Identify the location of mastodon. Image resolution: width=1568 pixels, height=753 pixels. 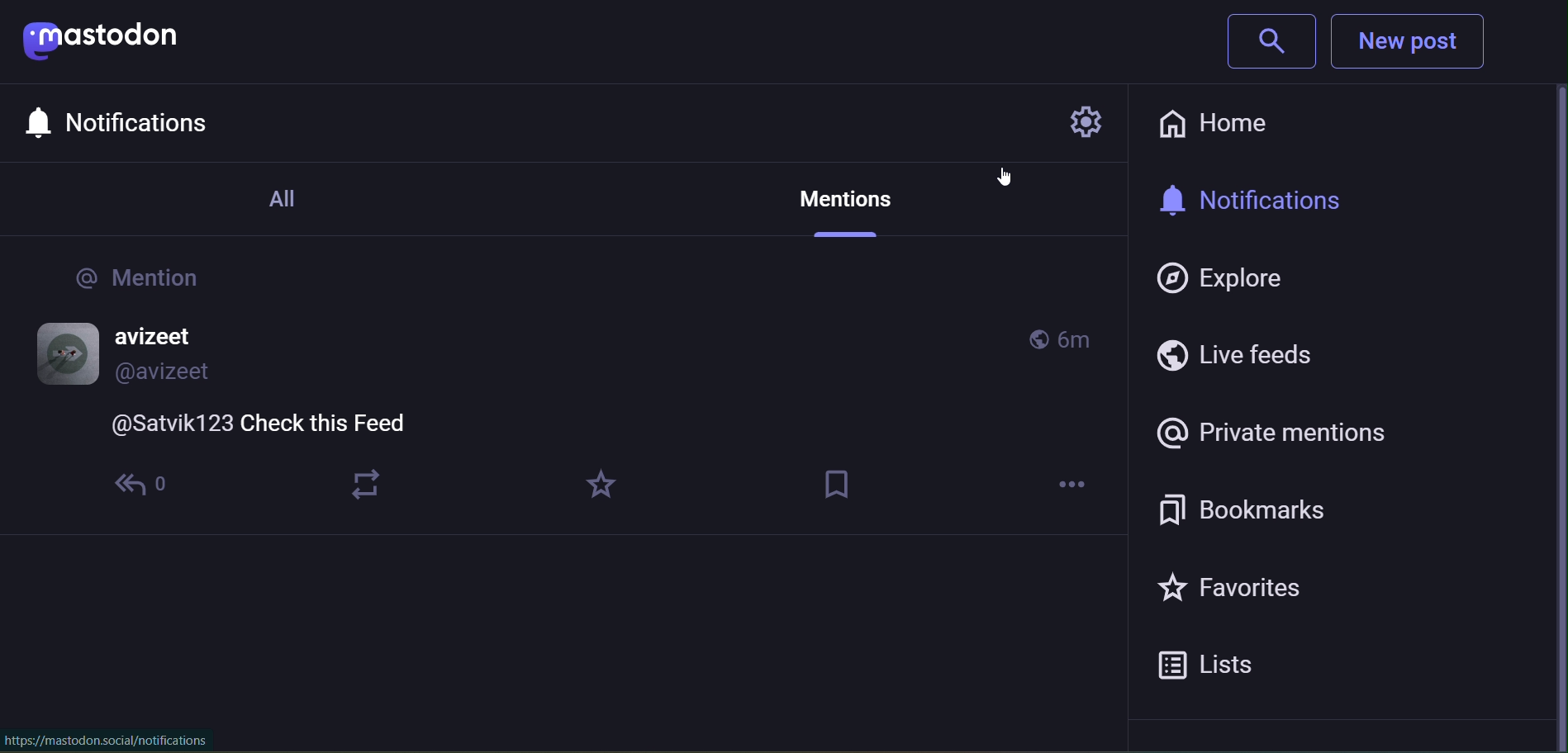
(114, 40).